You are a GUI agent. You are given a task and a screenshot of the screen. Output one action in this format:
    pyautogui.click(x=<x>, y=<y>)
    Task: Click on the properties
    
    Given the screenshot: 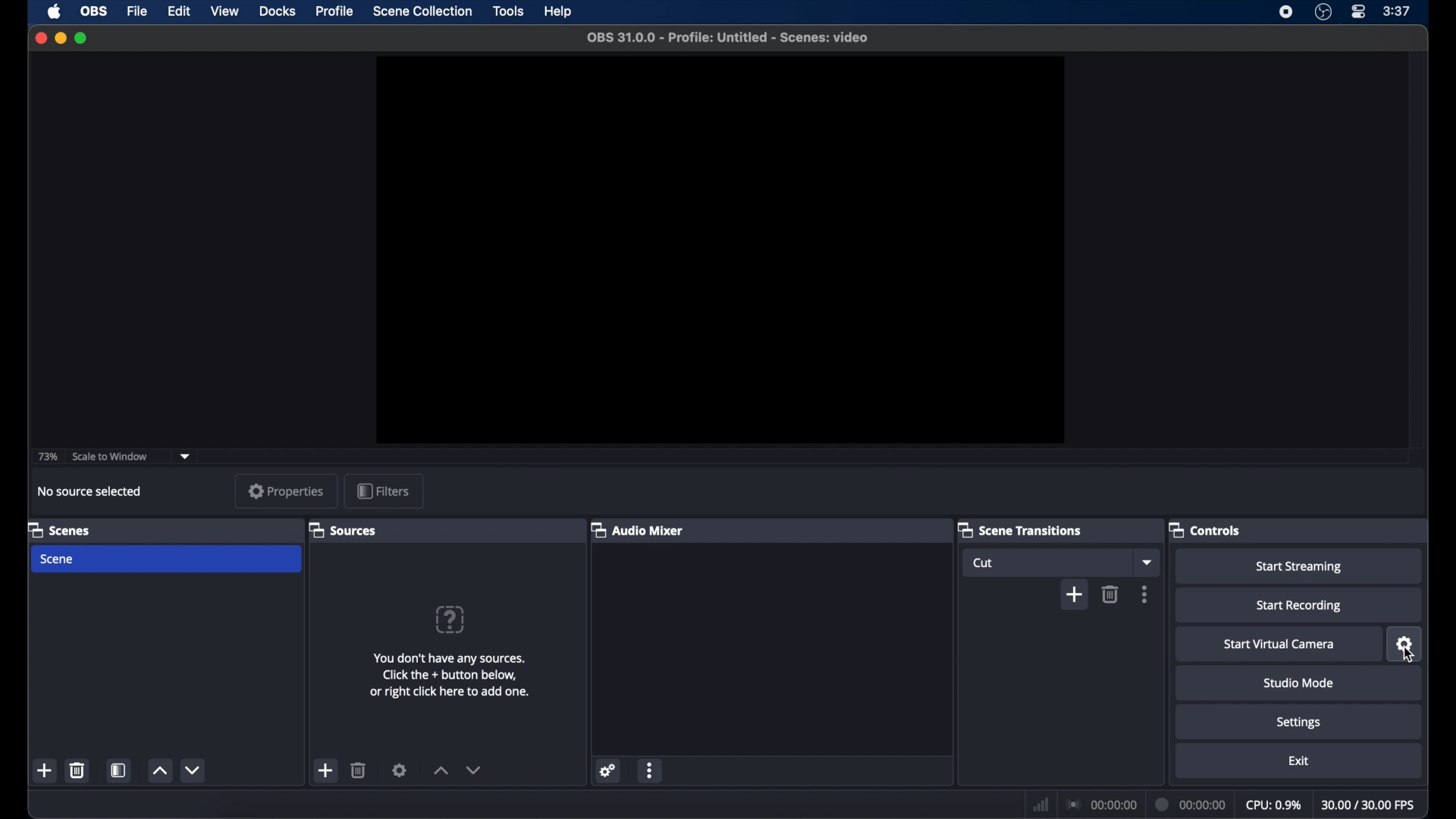 What is the action you would take?
    pyautogui.click(x=287, y=491)
    